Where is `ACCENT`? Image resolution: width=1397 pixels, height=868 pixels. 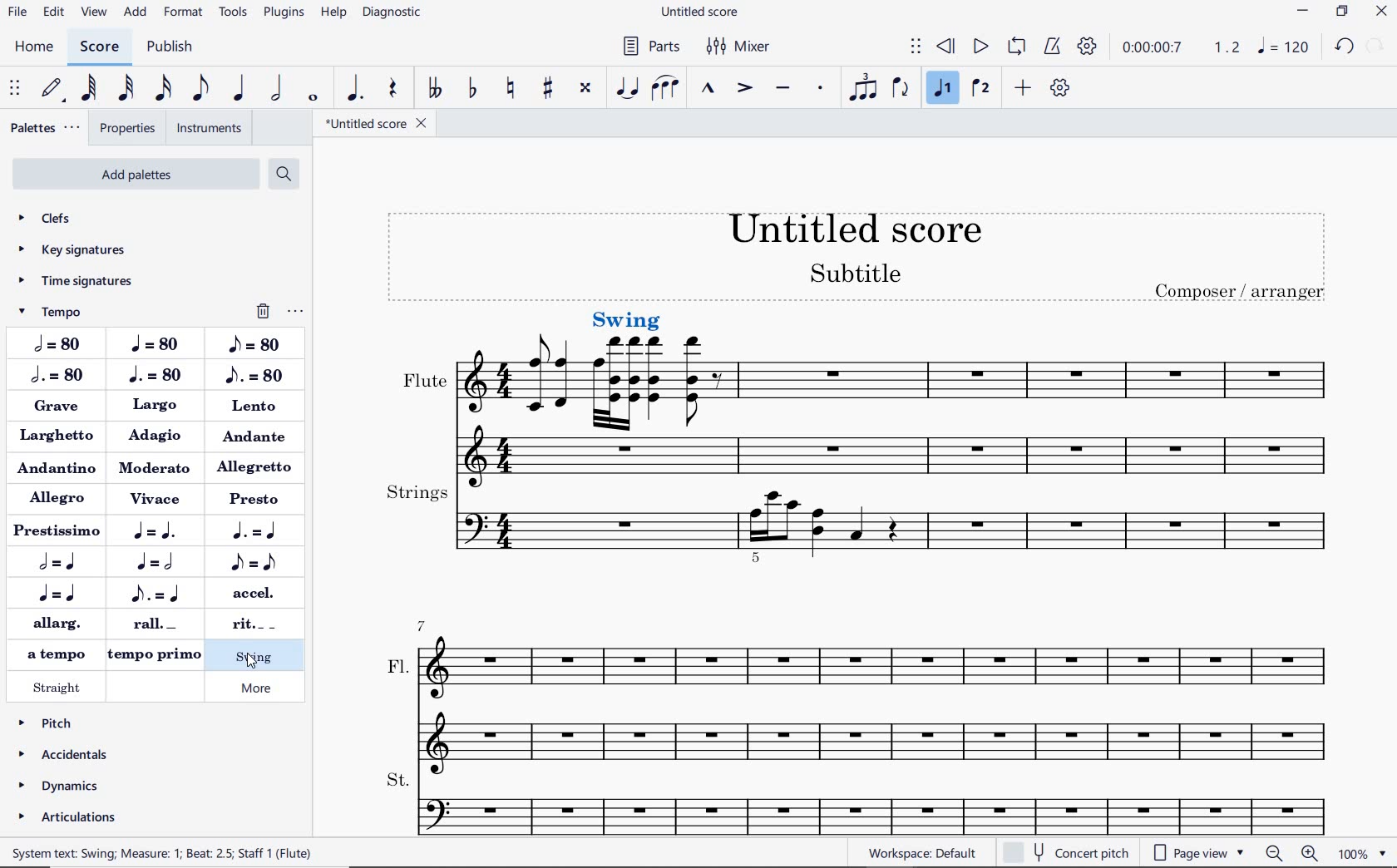
ACCENT is located at coordinates (743, 86).